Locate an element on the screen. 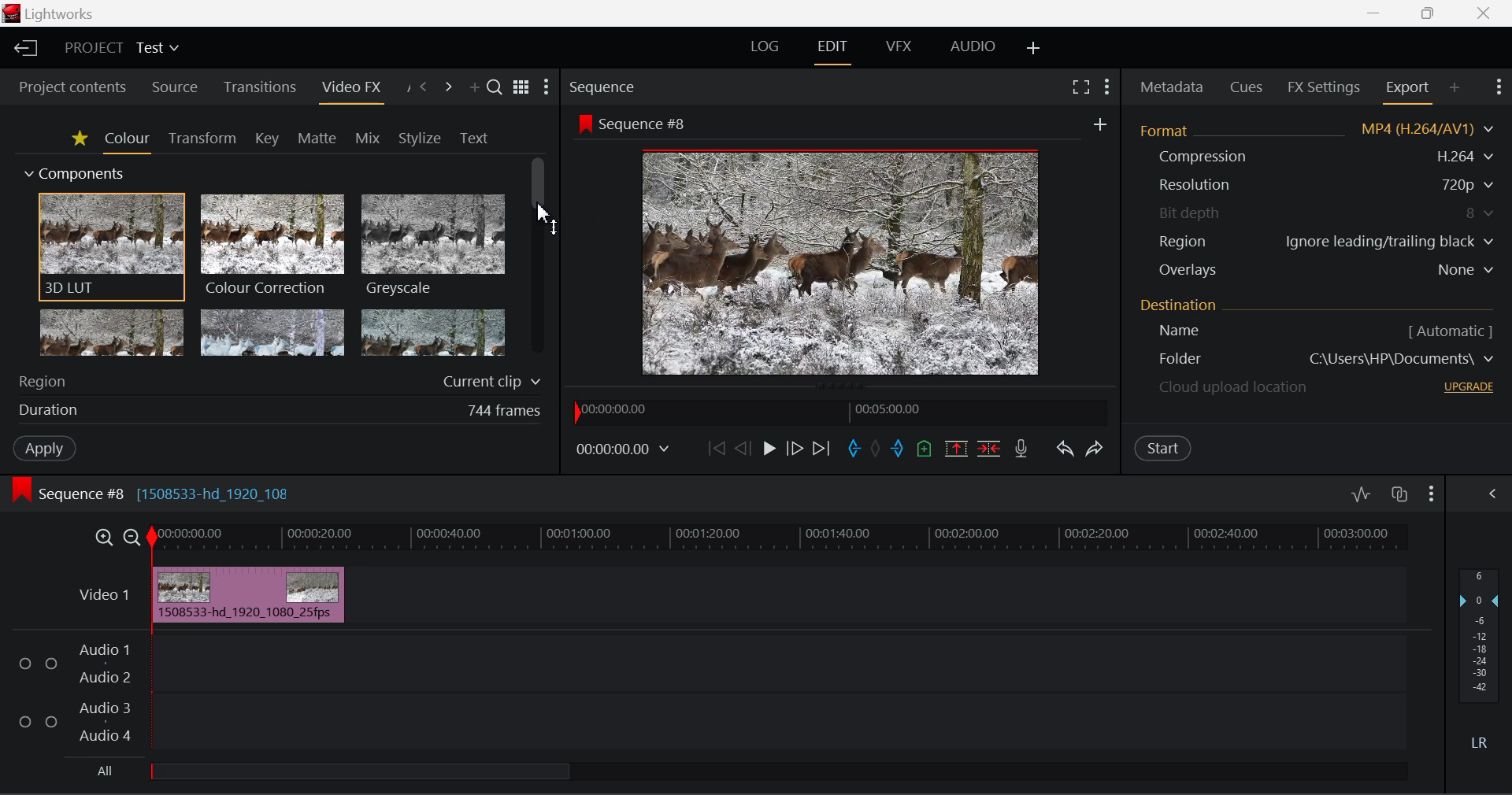 The image size is (1512, 795). Checkbox is located at coordinates (26, 662).